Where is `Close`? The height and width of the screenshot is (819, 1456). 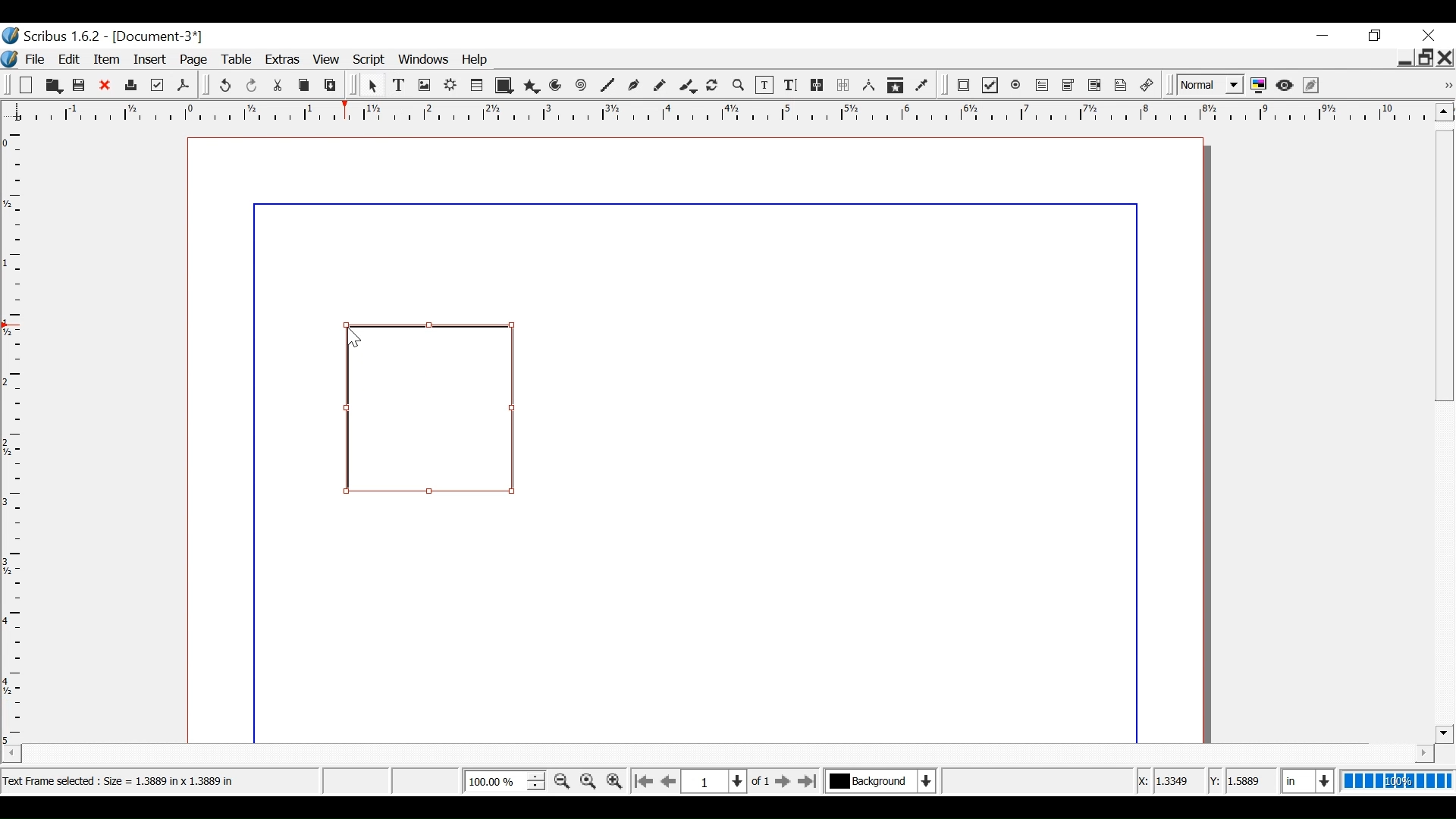
Close is located at coordinates (1431, 36).